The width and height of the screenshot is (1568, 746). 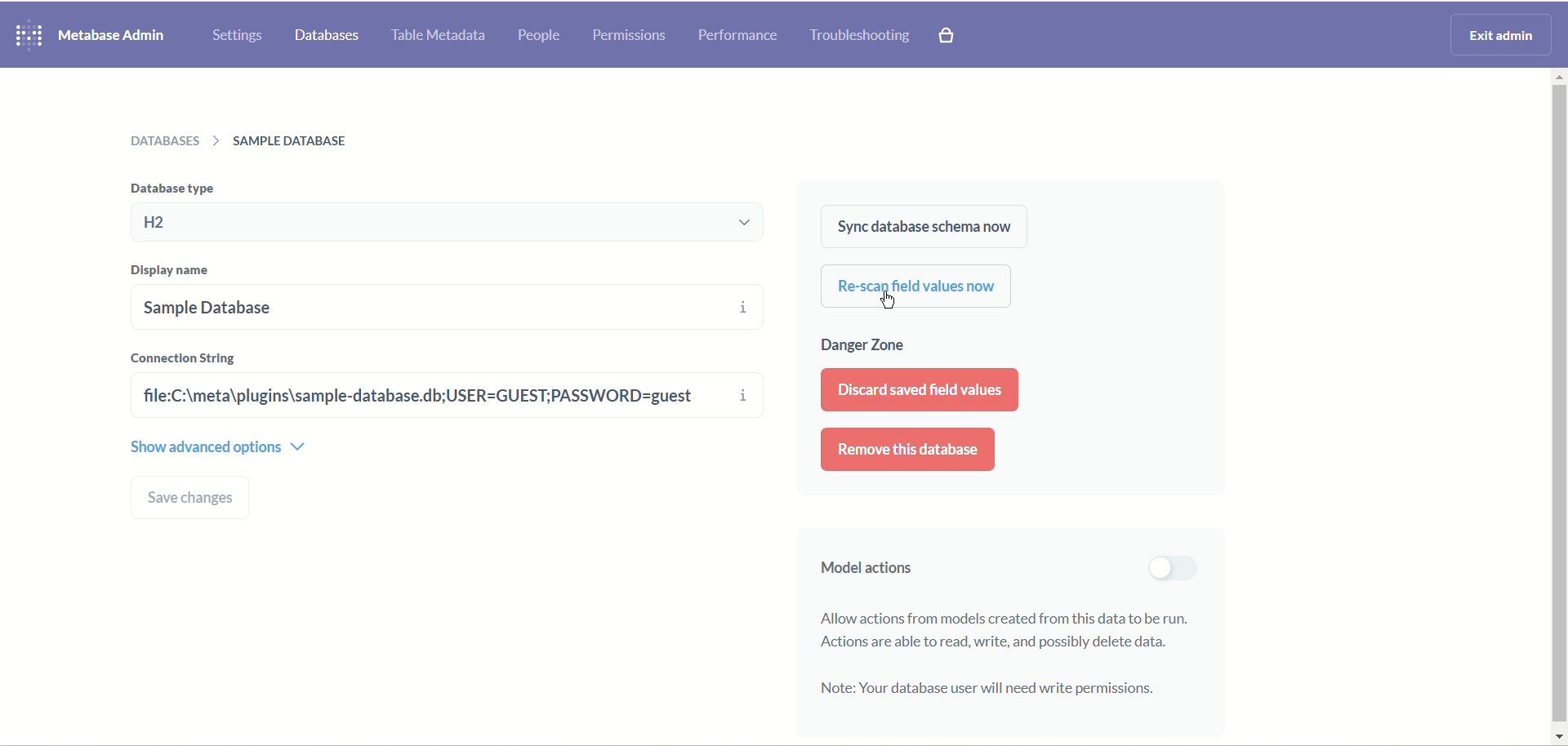 What do you see at coordinates (629, 33) in the screenshot?
I see `permissions` at bounding box center [629, 33].